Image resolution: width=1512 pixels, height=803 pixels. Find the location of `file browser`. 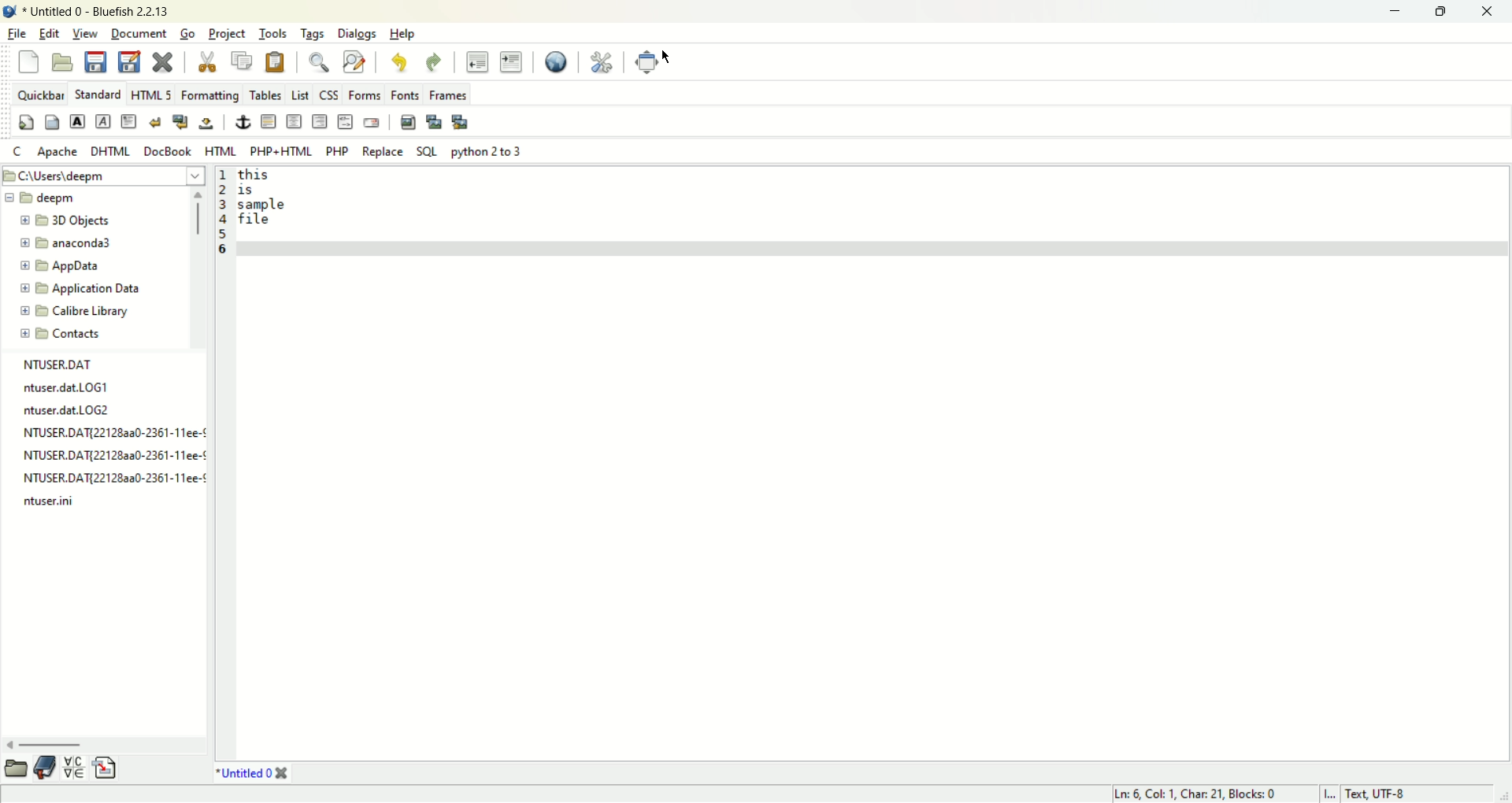

file browser is located at coordinates (13, 772).